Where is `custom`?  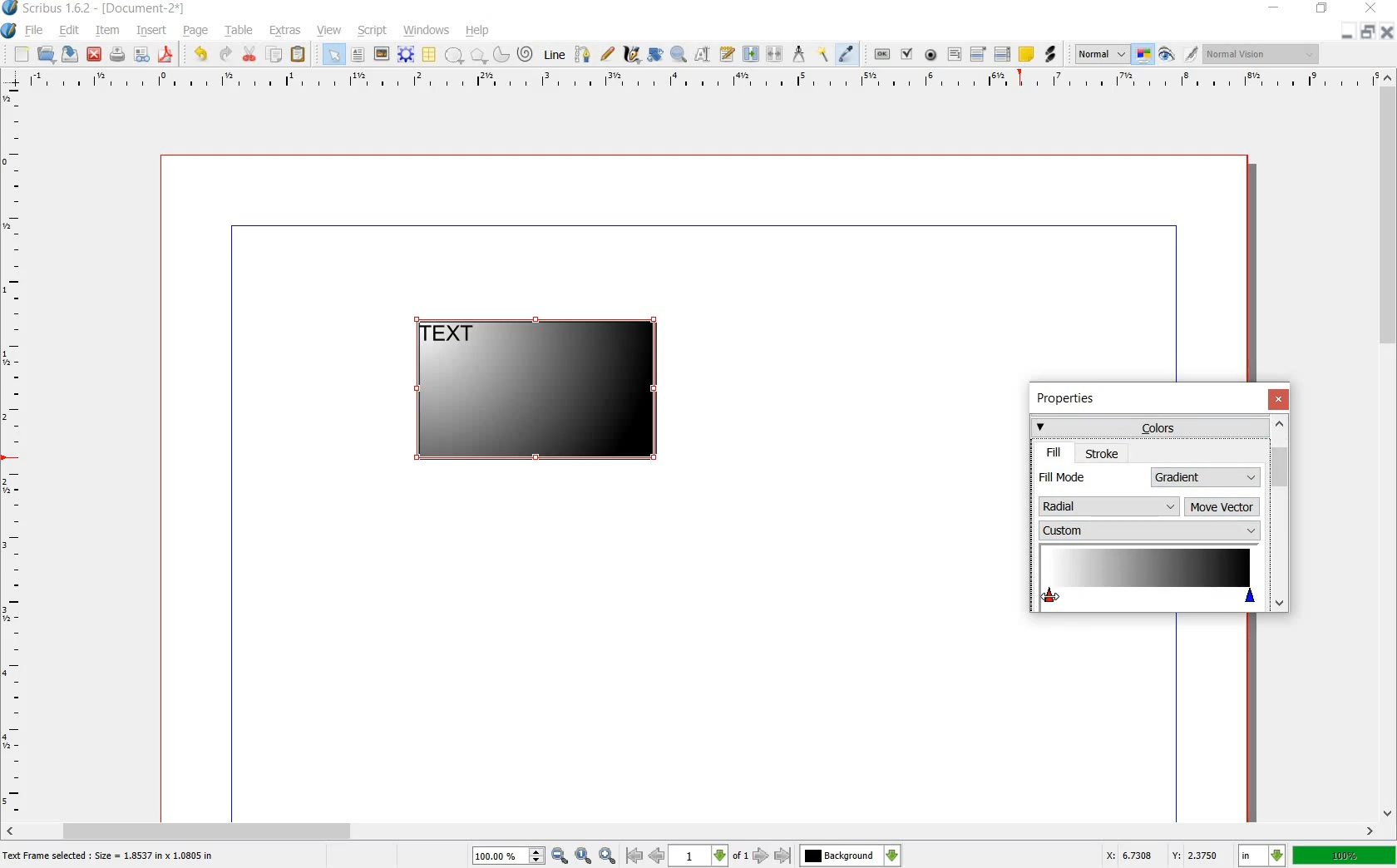 custom is located at coordinates (1148, 530).